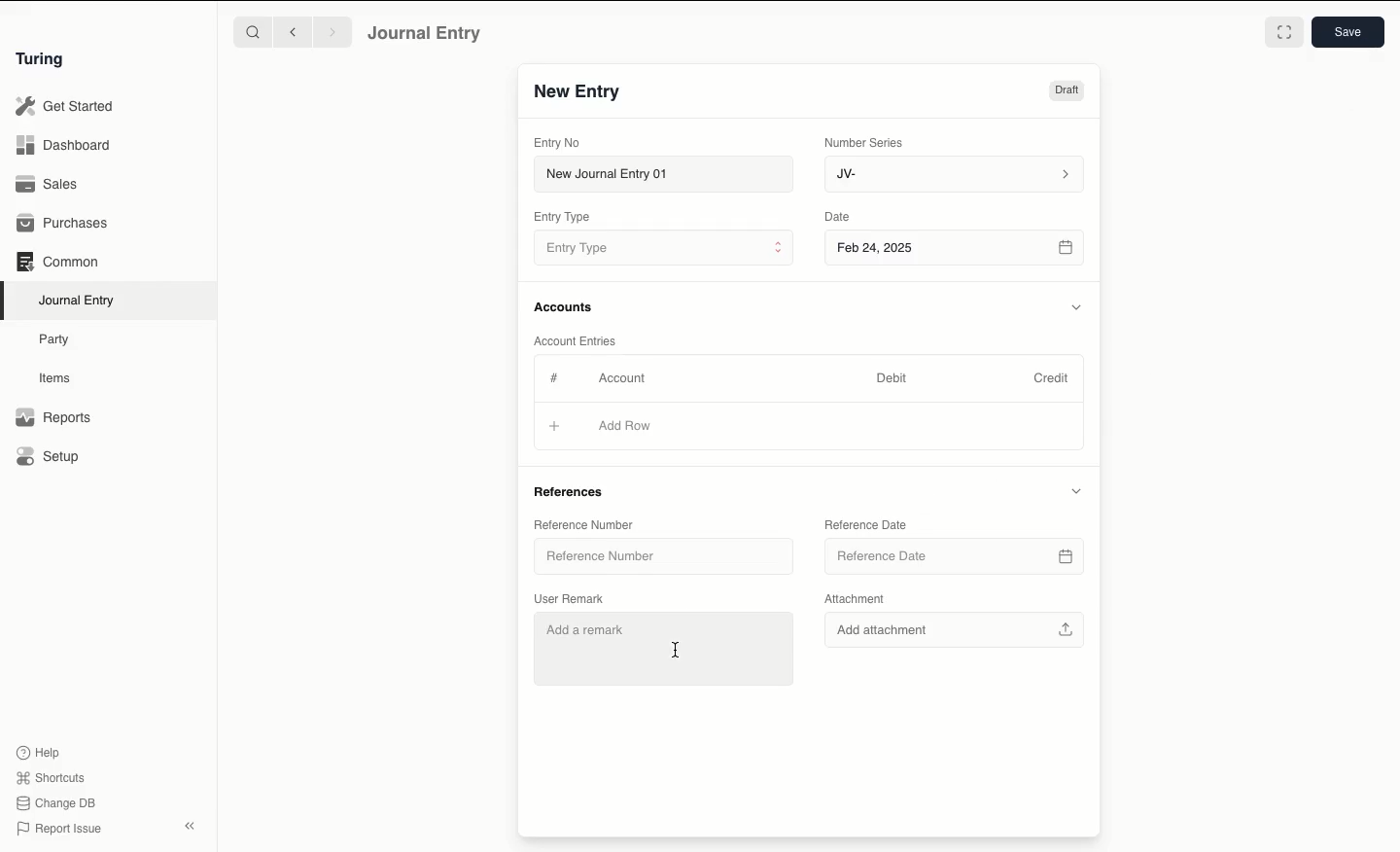 The height and width of the screenshot is (852, 1400). Describe the element at coordinates (39, 753) in the screenshot. I see `Help` at that location.